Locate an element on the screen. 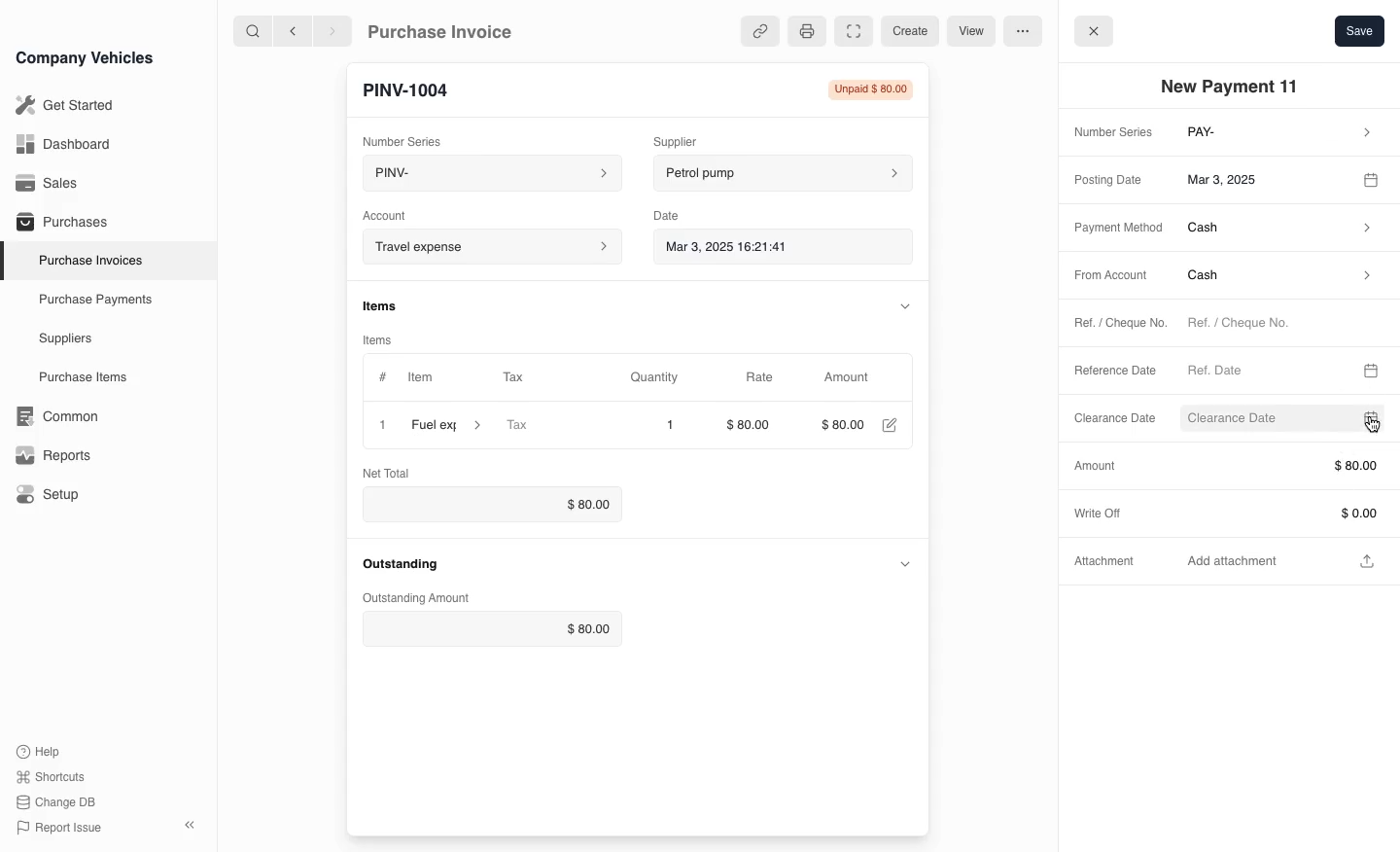  Item is located at coordinates (407, 378).